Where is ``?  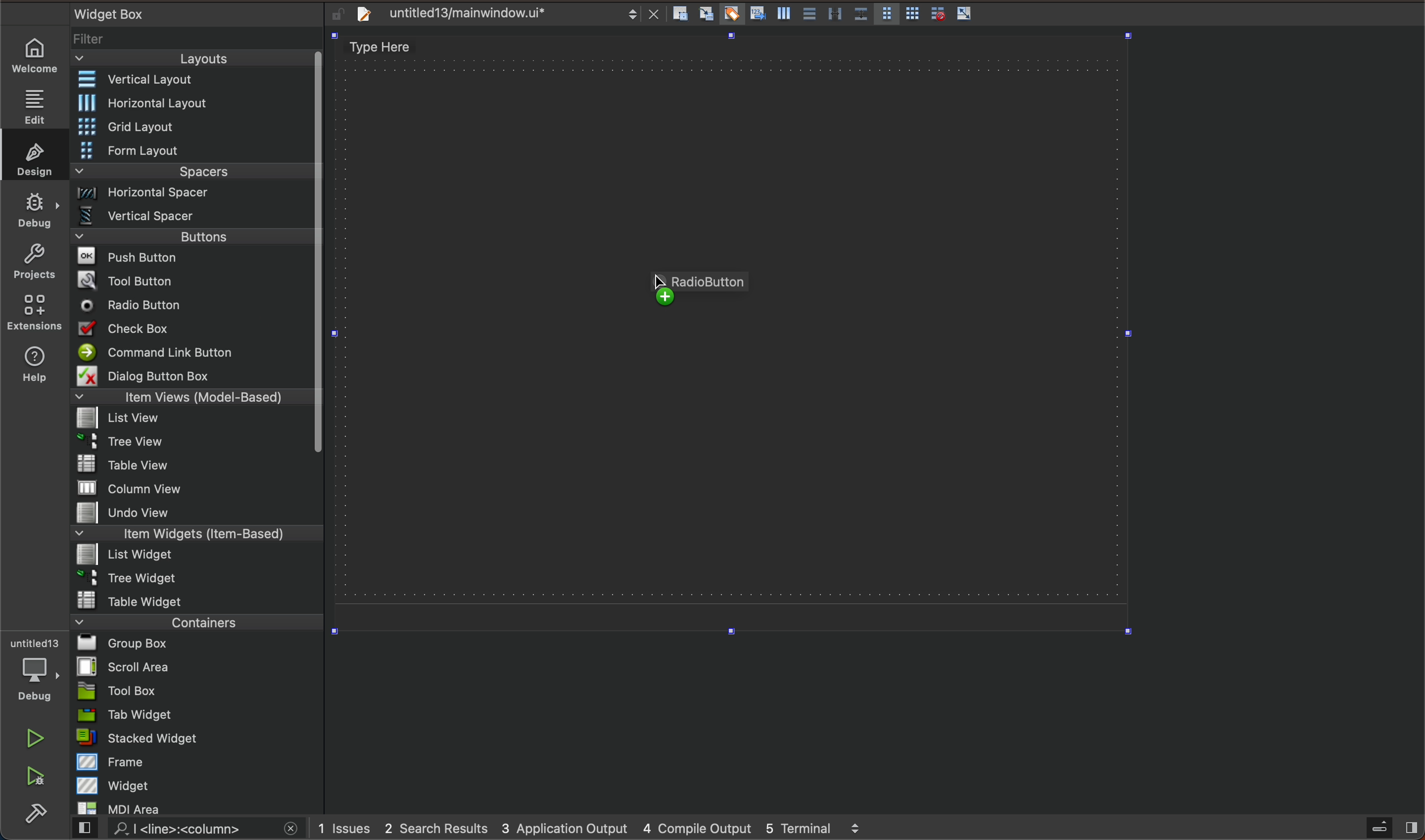  is located at coordinates (756, 15).